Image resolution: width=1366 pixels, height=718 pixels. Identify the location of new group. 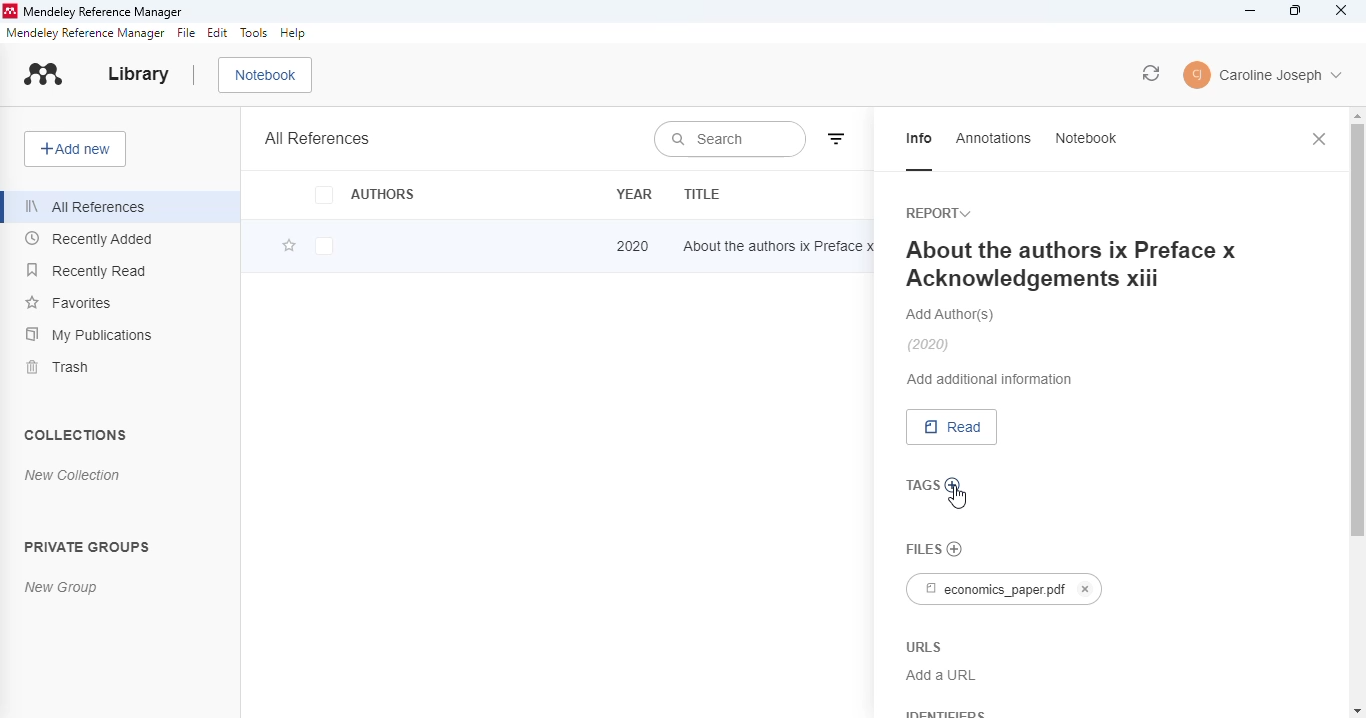
(61, 588).